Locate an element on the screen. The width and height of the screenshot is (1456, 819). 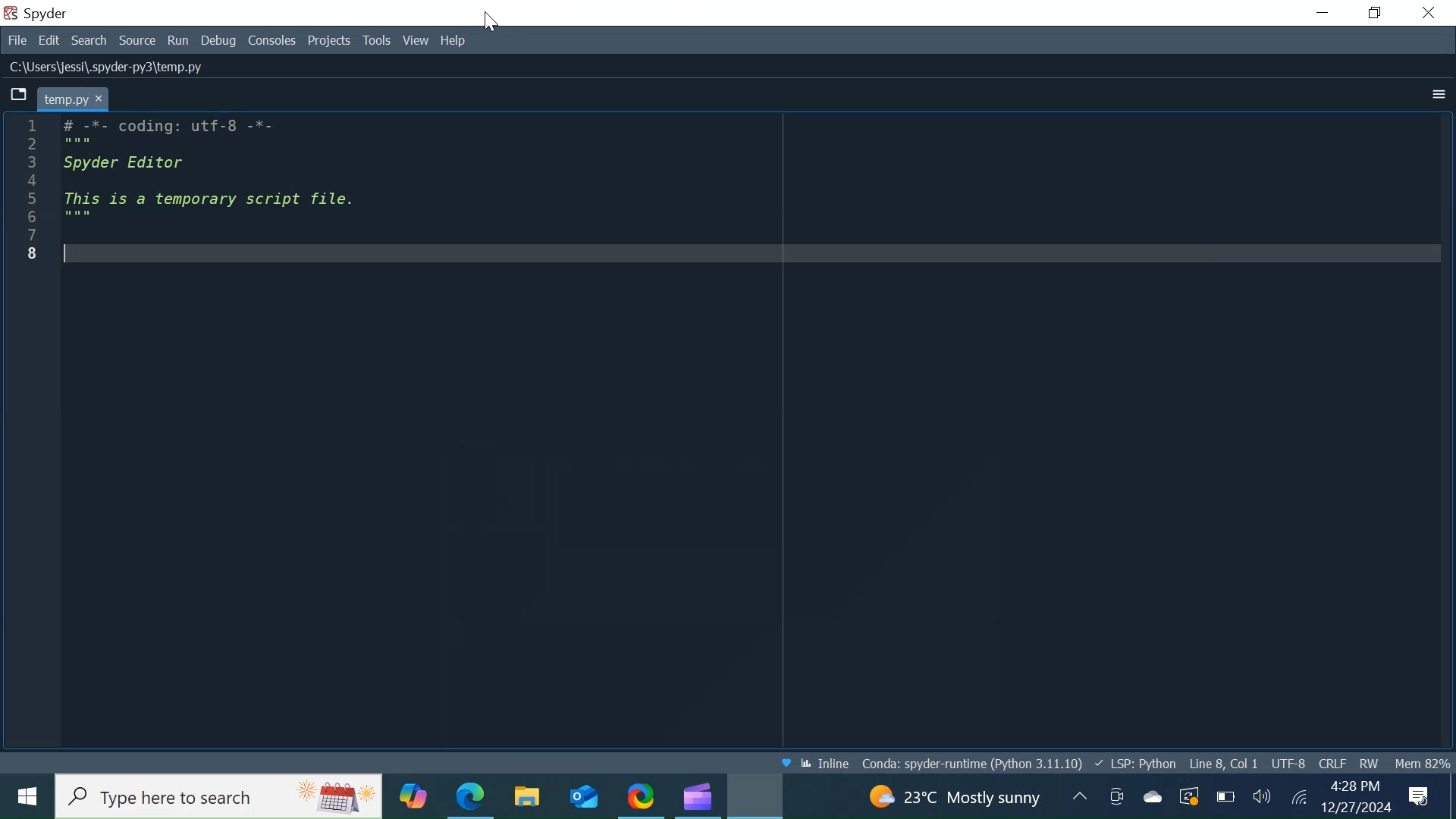
File EQL Status is located at coordinates (1332, 764).